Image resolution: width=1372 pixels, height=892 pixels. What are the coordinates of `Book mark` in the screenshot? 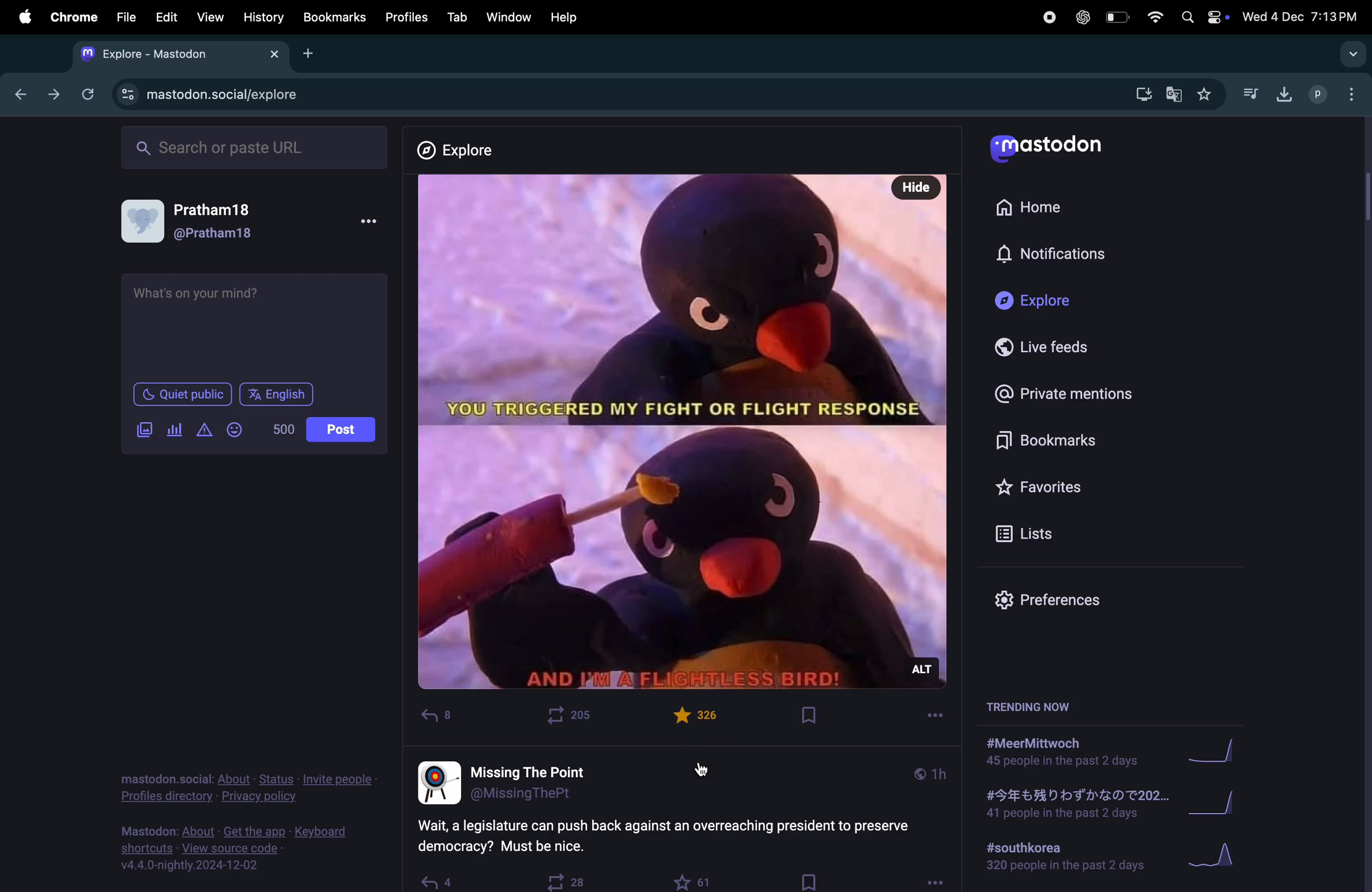 It's located at (813, 715).